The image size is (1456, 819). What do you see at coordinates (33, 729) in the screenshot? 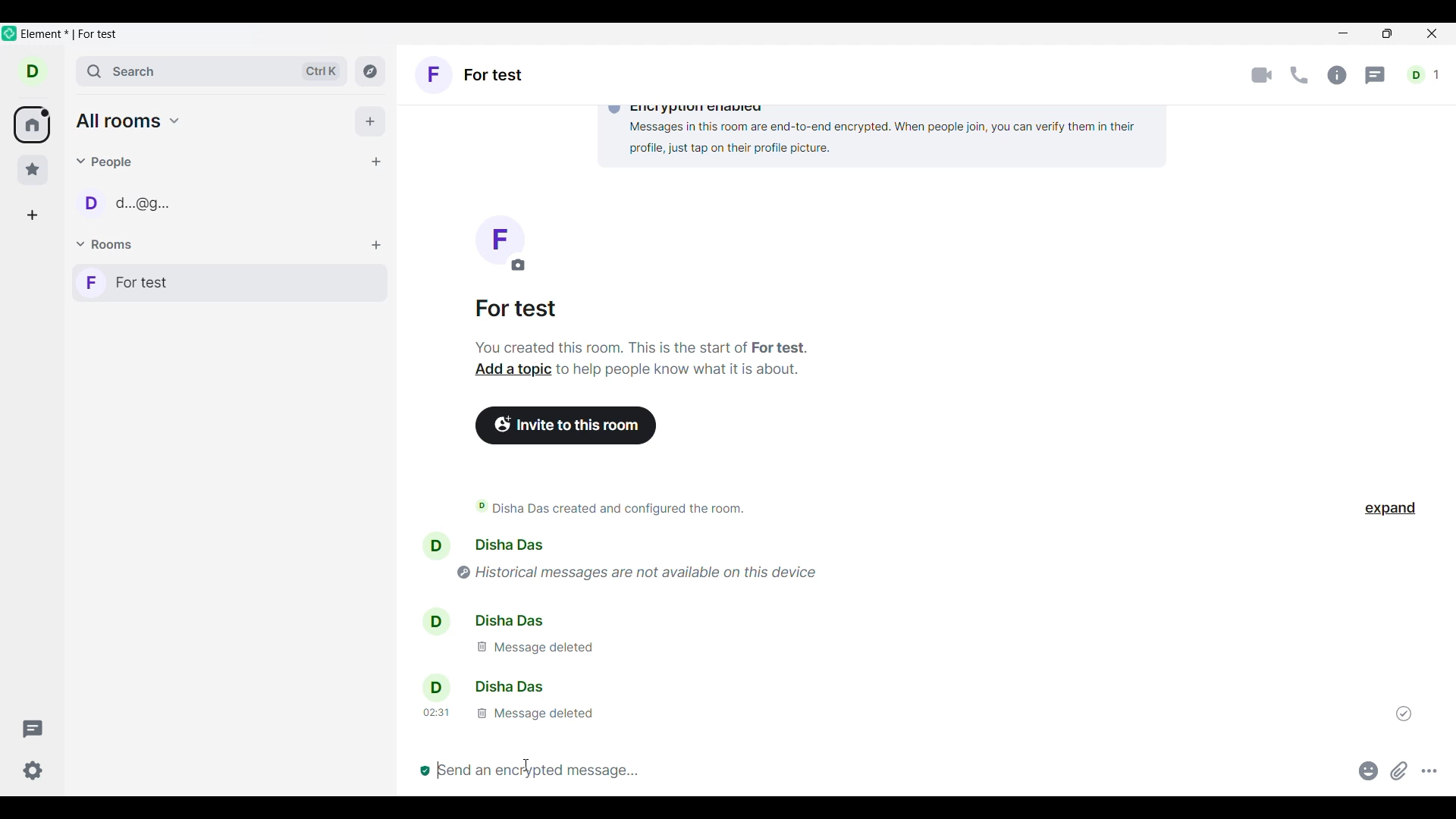
I see `Threads` at bounding box center [33, 729].